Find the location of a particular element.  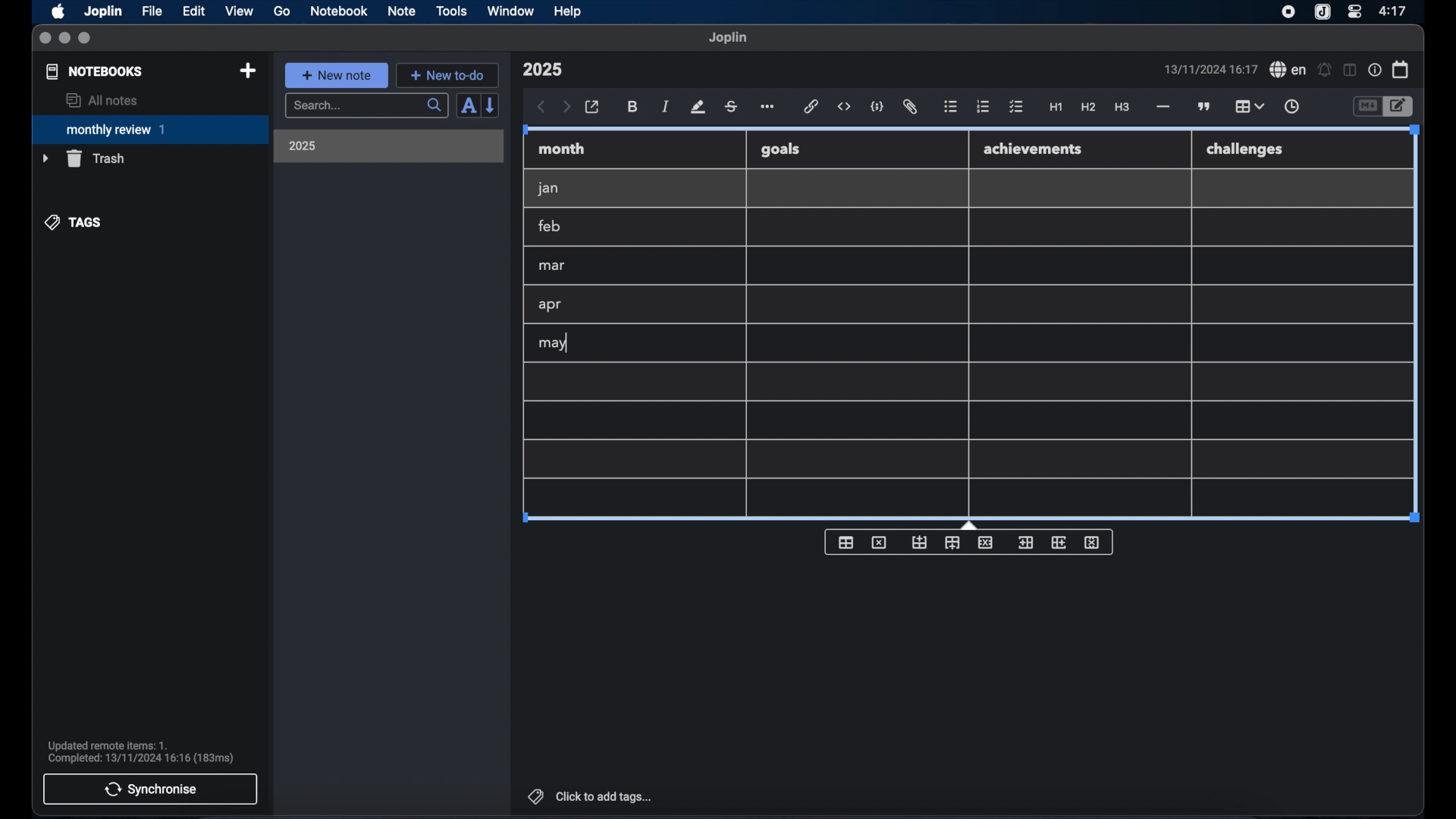

check  list is located at coordinates (1016, 108).